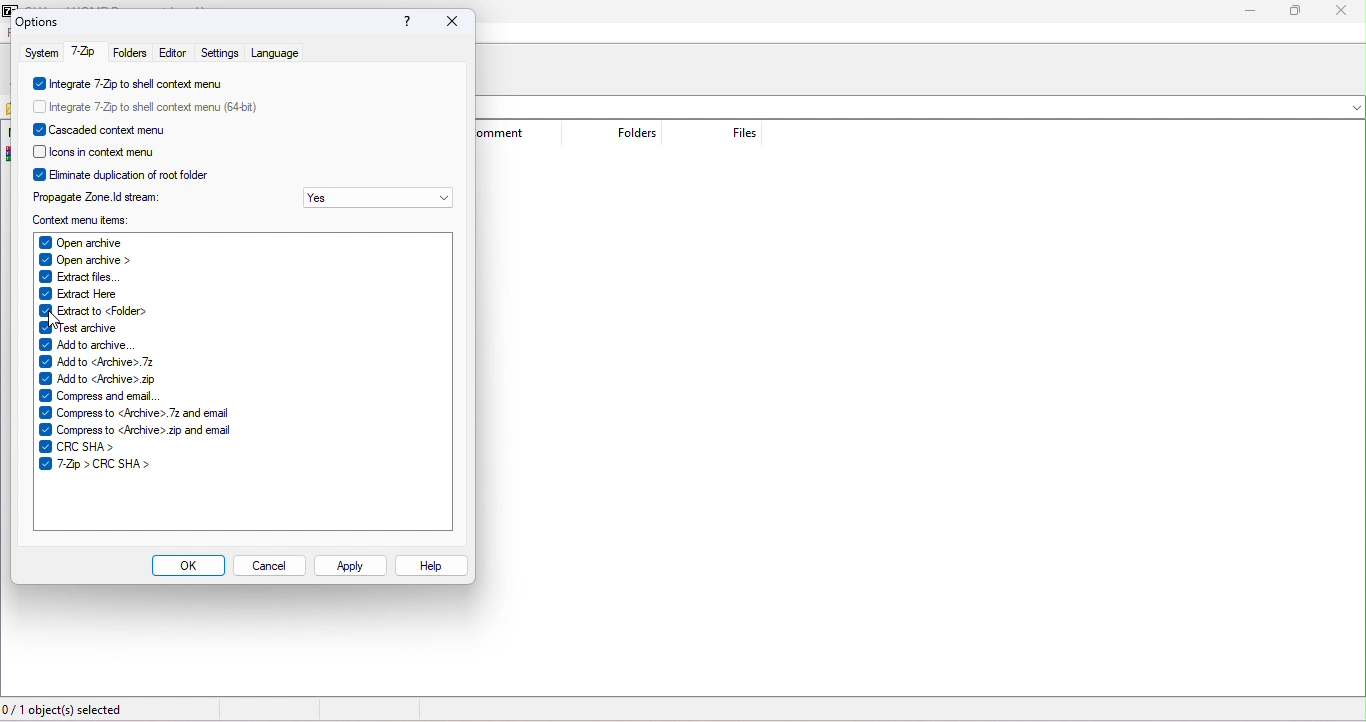 The image size is (1366, 722). Describe the element at coordinates (95, 218) in the screenshot. I see `context menu items` at that location.